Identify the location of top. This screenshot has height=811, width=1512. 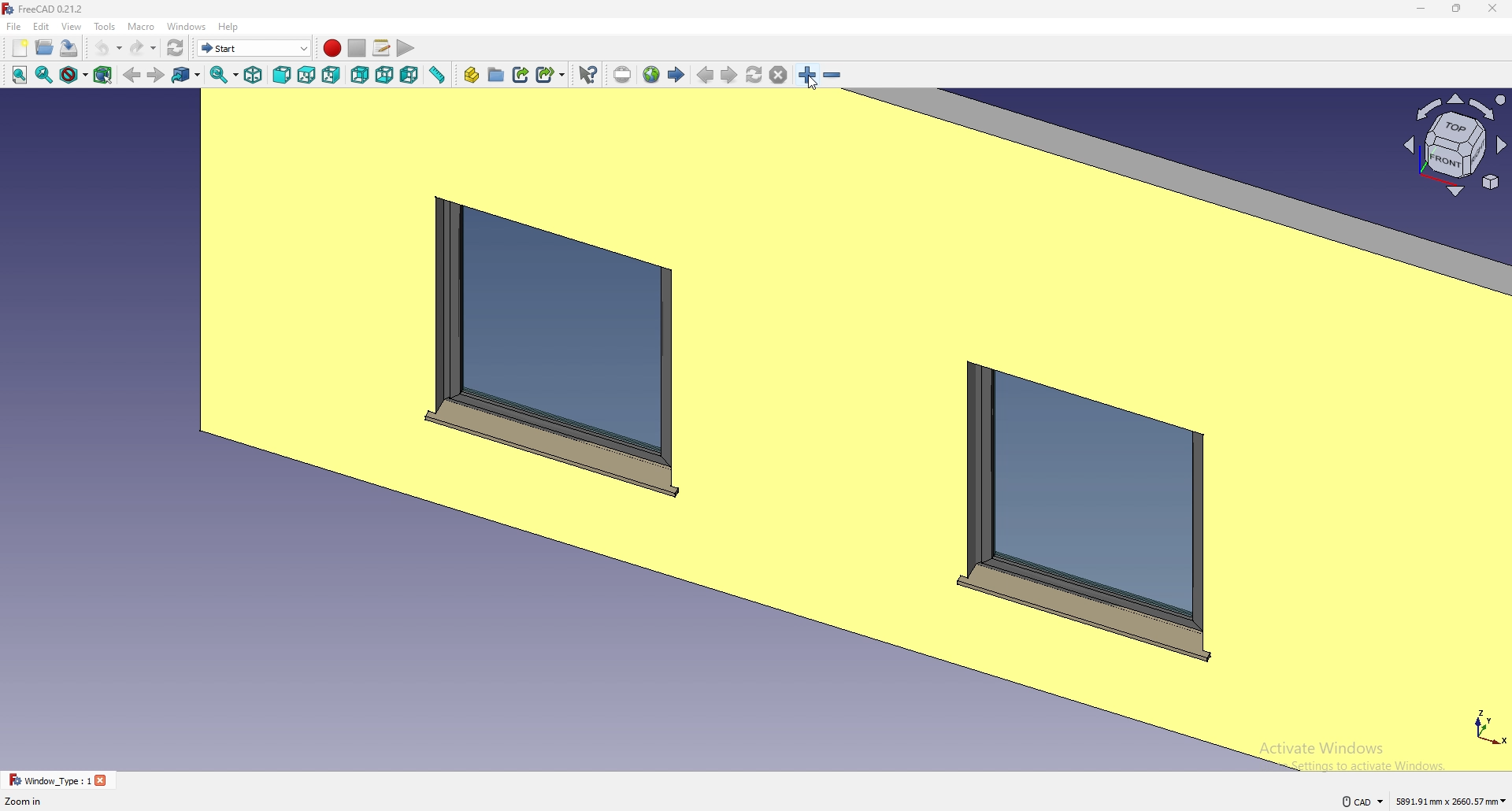
(307, 75).